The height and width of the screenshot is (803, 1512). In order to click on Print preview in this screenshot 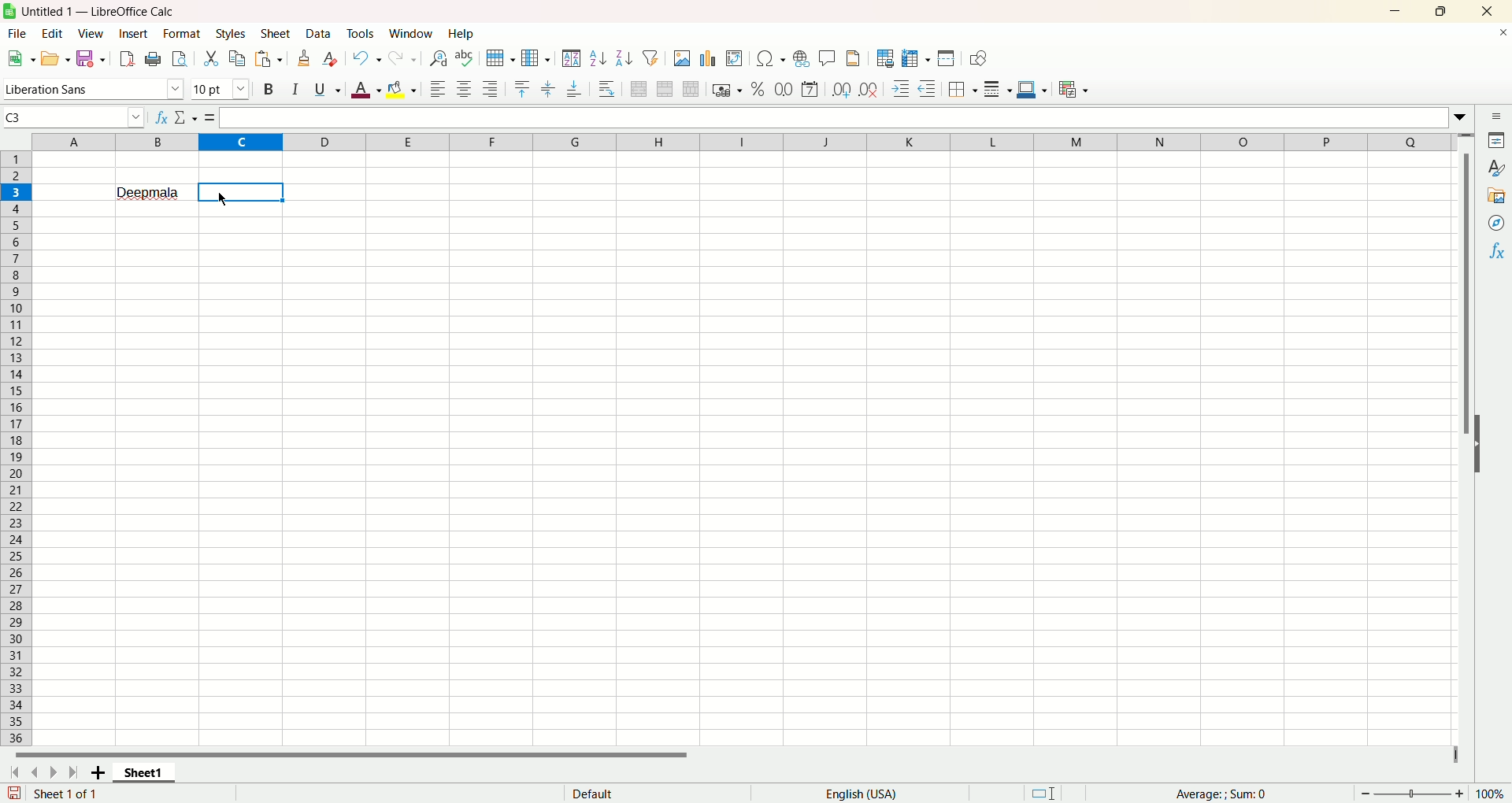, I will do `click(179, 59)`.